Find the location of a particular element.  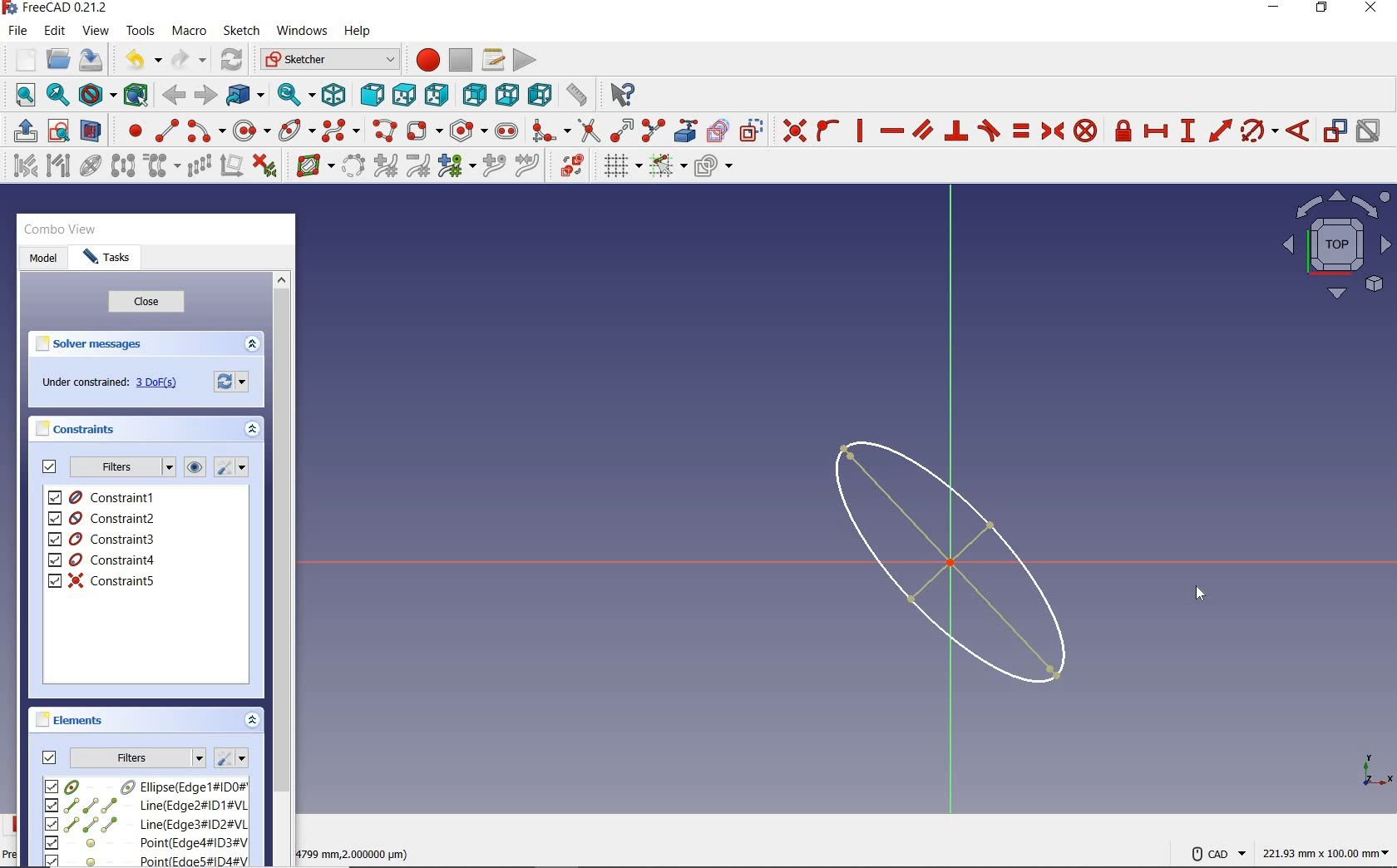

select associated geometry is located at coordinates (58, 167).